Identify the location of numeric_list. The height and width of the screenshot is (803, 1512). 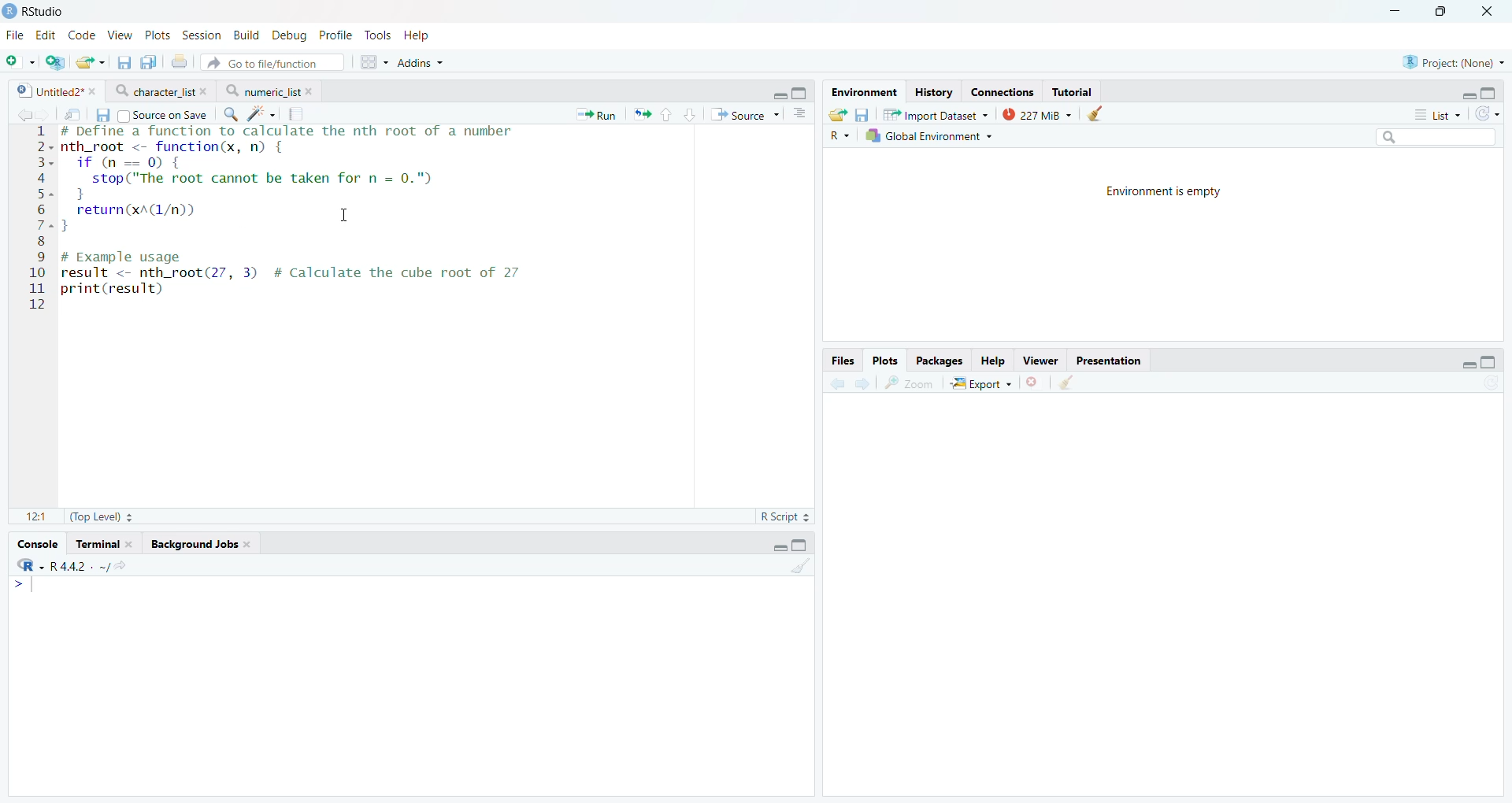
(269, 91).